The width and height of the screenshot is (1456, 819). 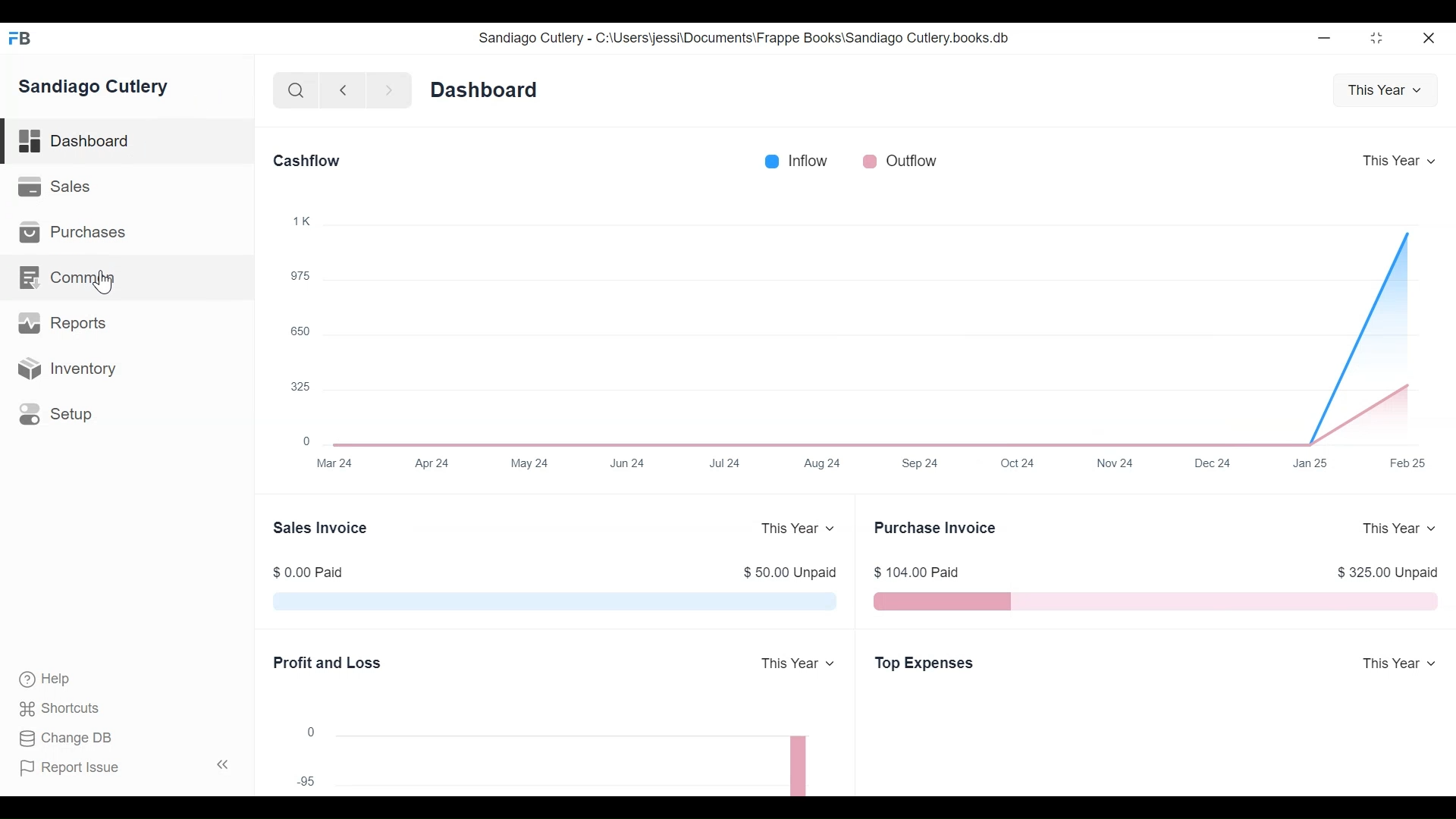 What do you see at coordinates (55, 186) in the screenshot?
I see `Sales` at bounding box center [55, 186].